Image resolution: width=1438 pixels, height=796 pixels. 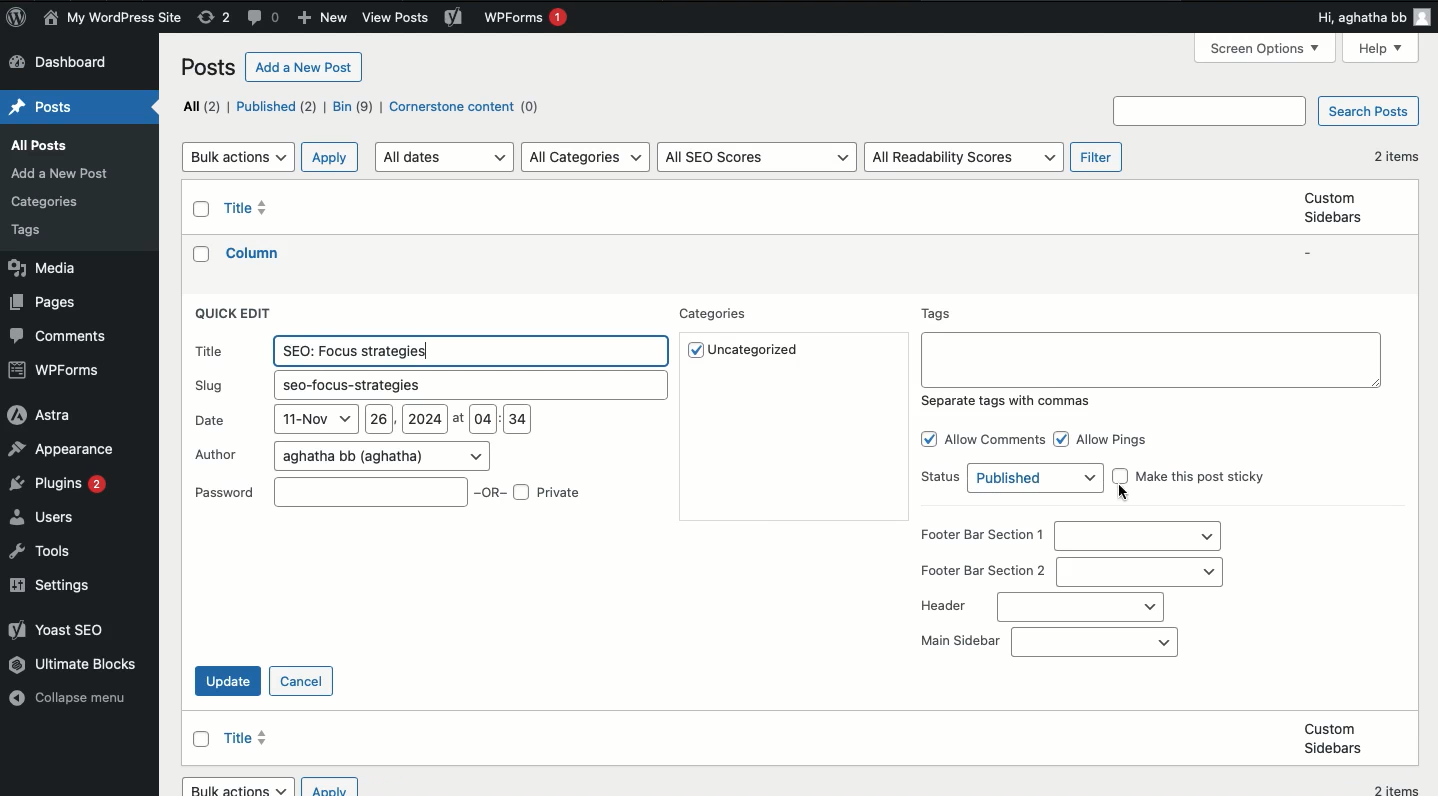 I want to click on Title, so click(x=251, y=208).